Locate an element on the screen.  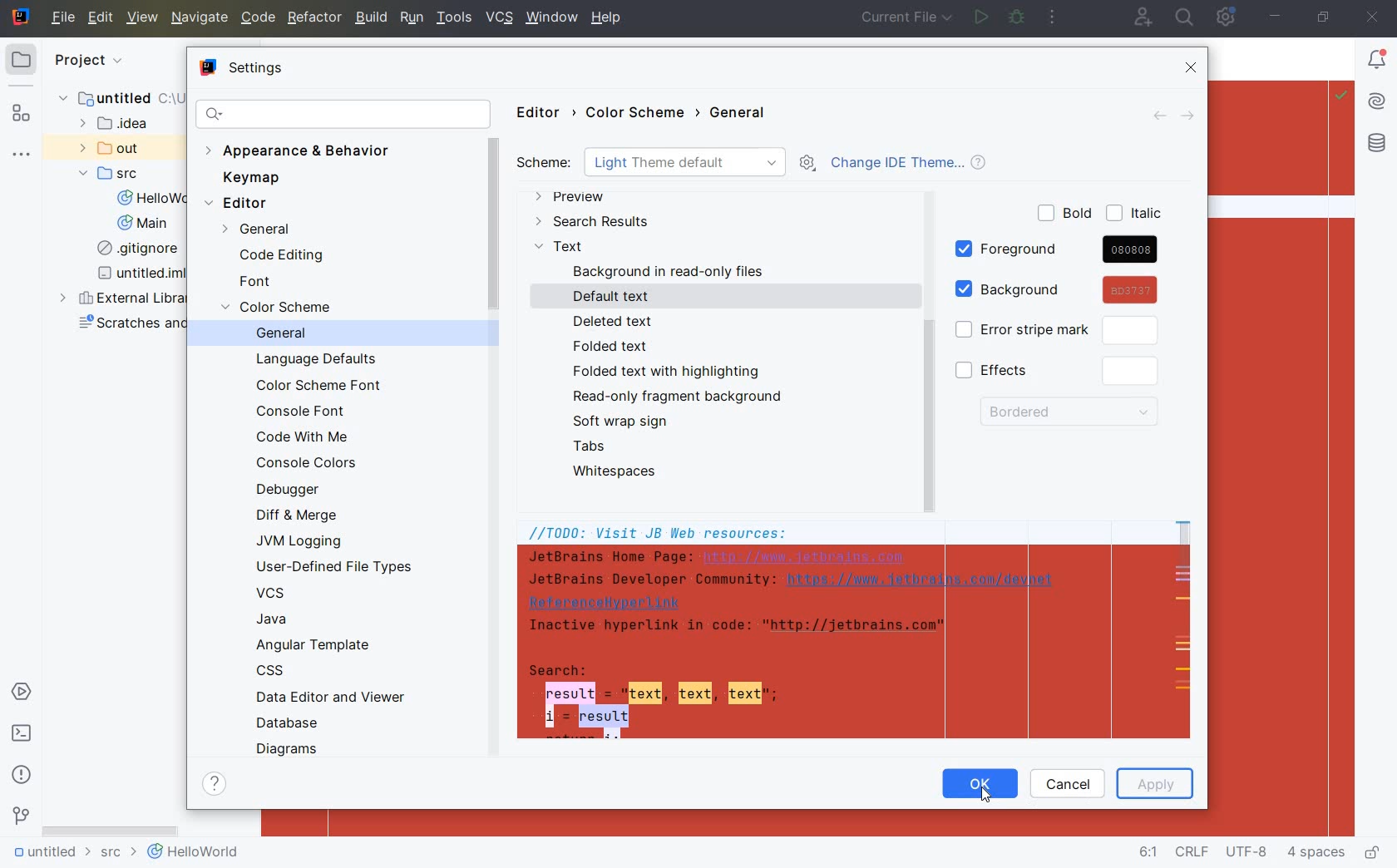
TEXT is located at coordinates (560, 248).